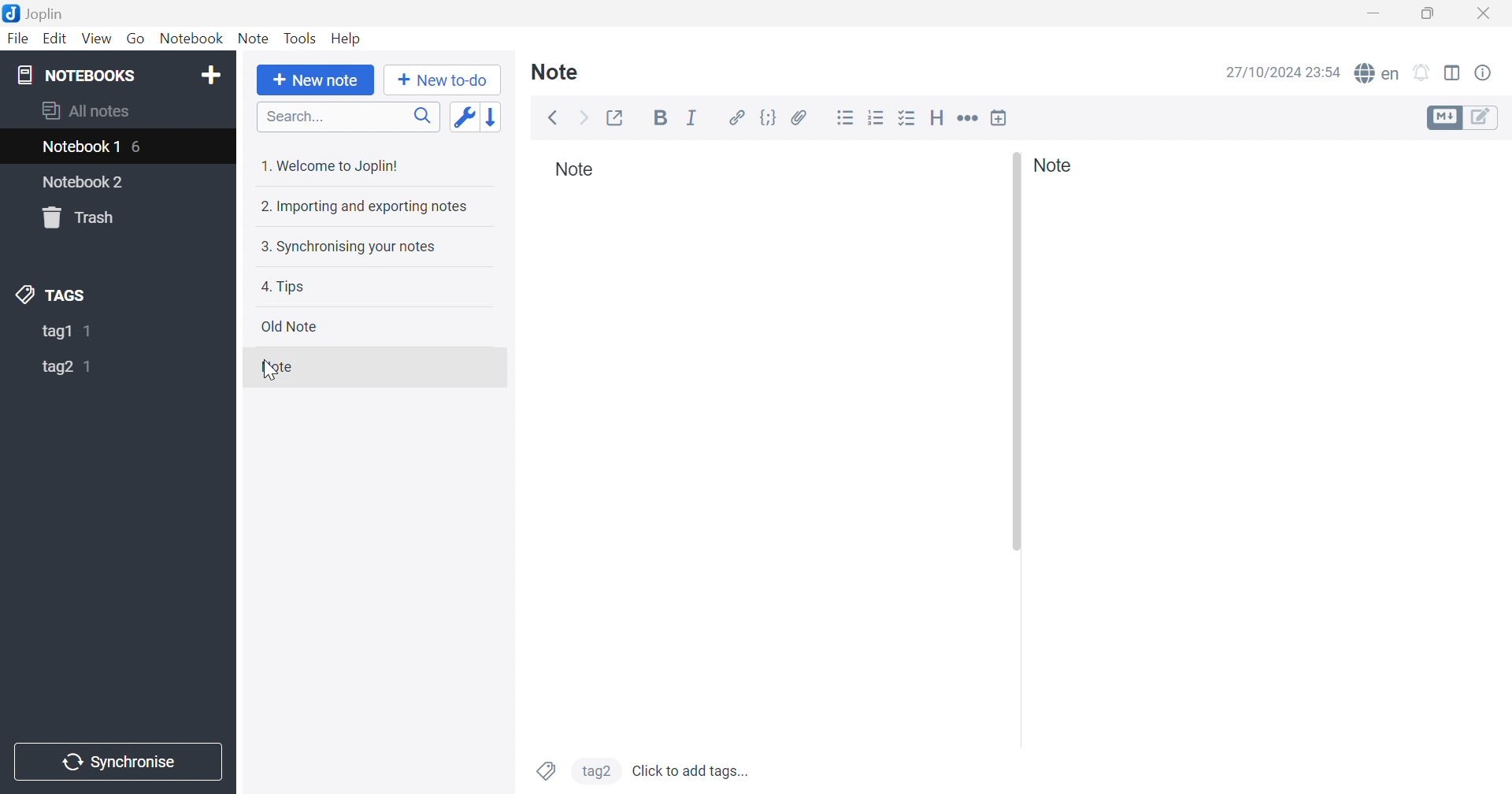  Describe the element at coordinates (315, 81) in the screenshot. I see `+ New note` at that location.